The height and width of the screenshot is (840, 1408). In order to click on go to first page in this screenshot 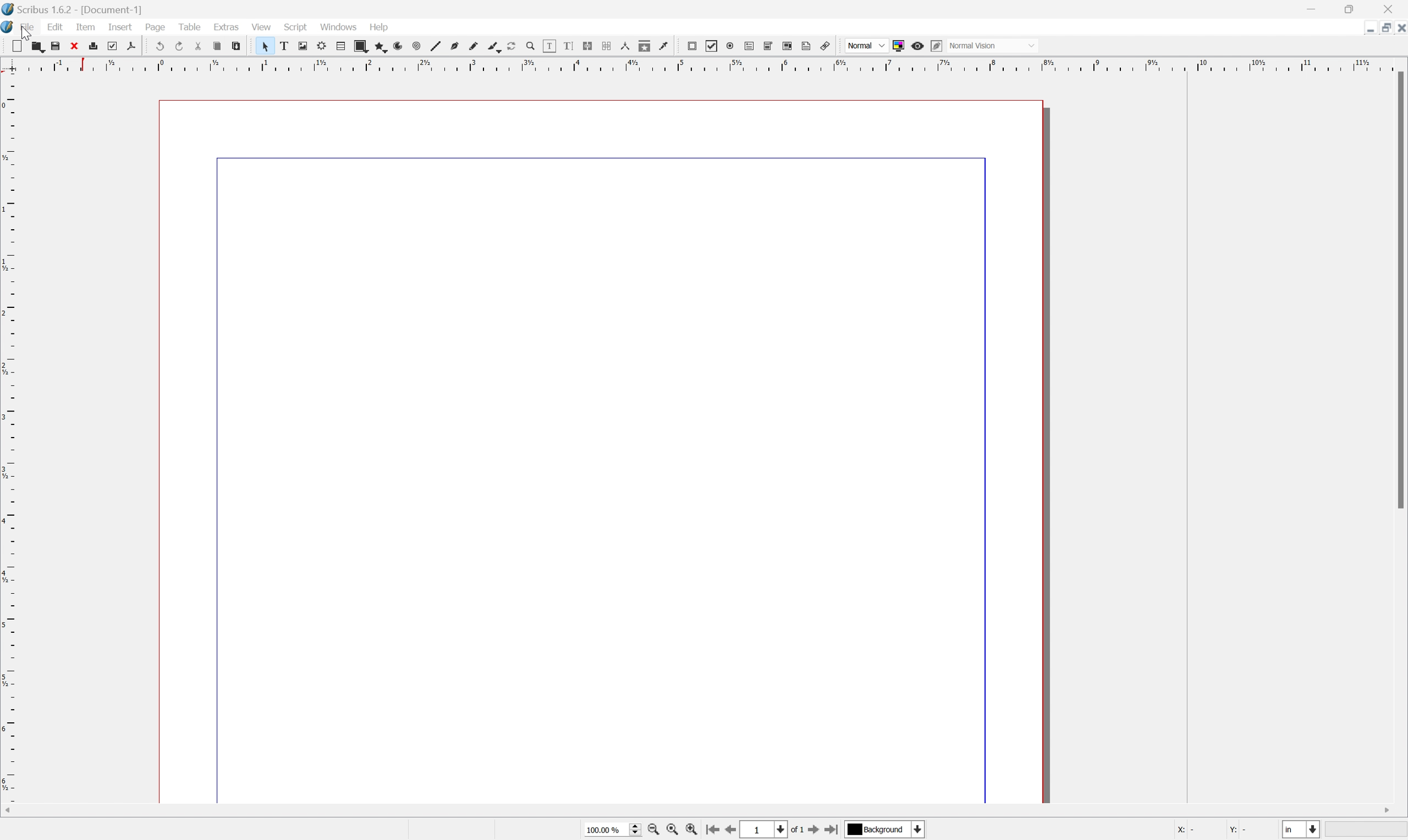, I will do `click(714, 831)`.